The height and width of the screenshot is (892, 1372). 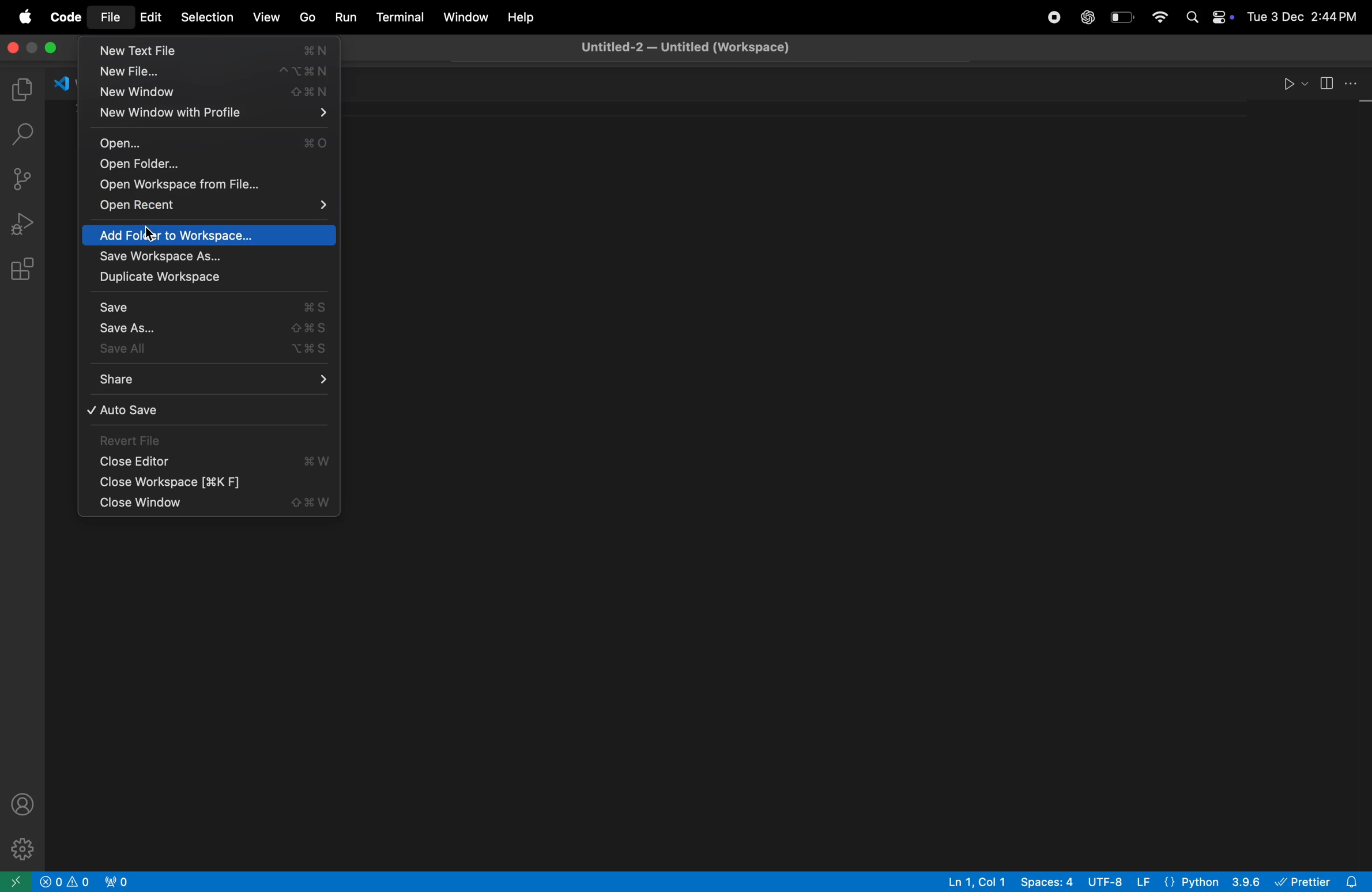 What do you see at coordinates (24, 138) in the screenshot?
I see `search` at bounding box center [24, 138].